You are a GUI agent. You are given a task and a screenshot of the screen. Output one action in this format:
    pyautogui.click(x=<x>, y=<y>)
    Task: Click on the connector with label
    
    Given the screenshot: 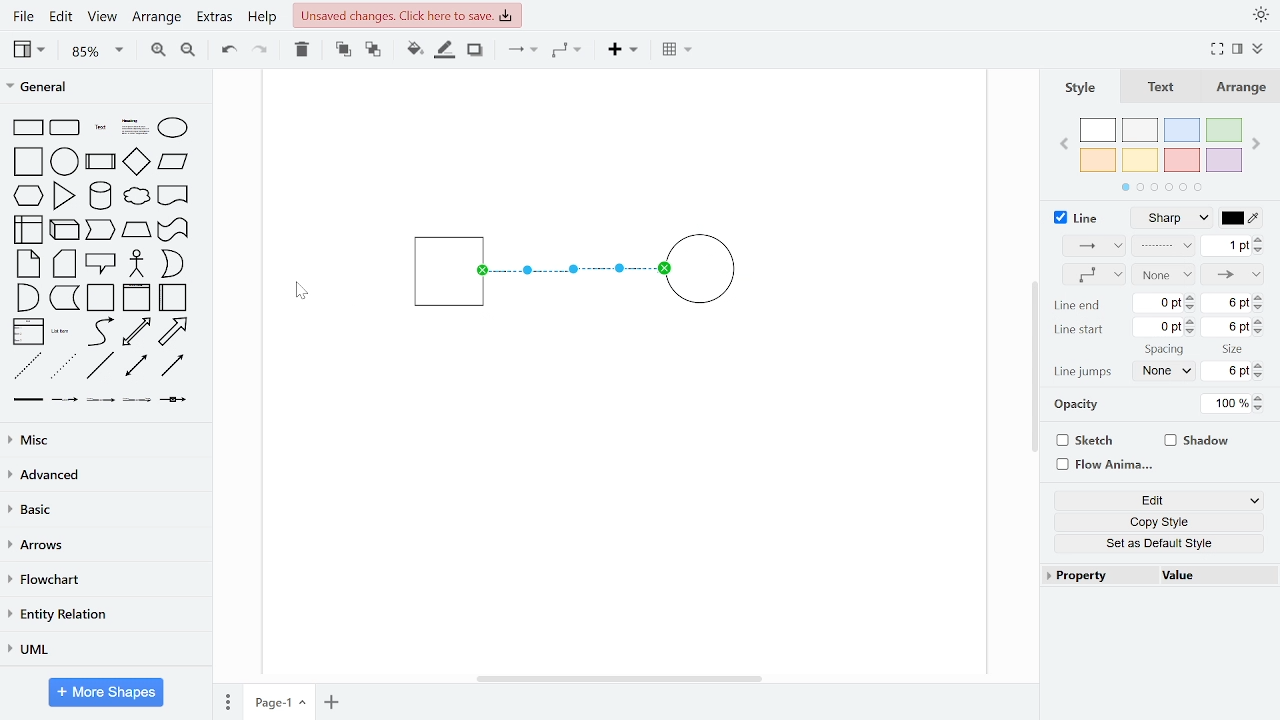 What is the action you would take?
    pyautogui.click(x=65, y=400)
    